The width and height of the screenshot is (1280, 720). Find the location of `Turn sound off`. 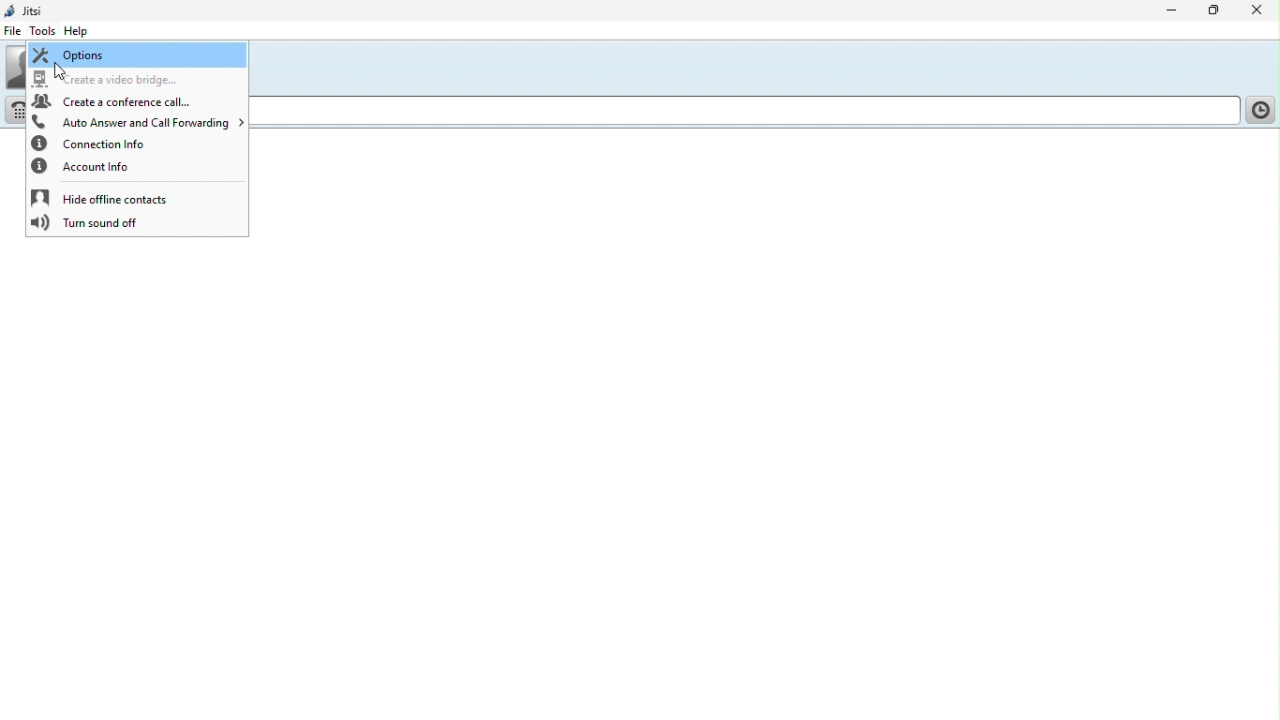

Turn sound off is located at coordinates (96, 222).